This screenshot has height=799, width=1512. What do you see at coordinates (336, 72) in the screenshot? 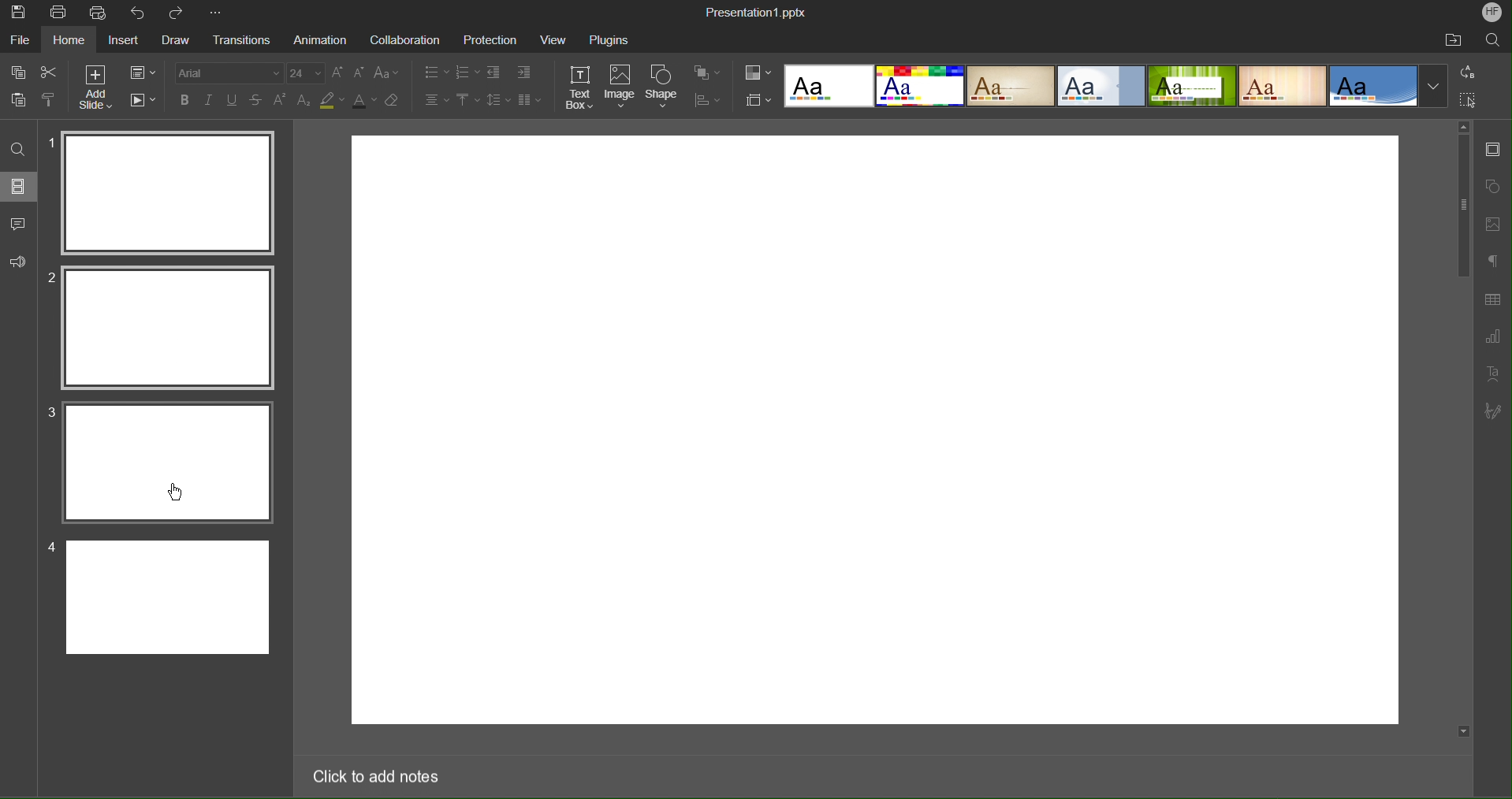
I see `increase font size` at bounding box center [336, 72].